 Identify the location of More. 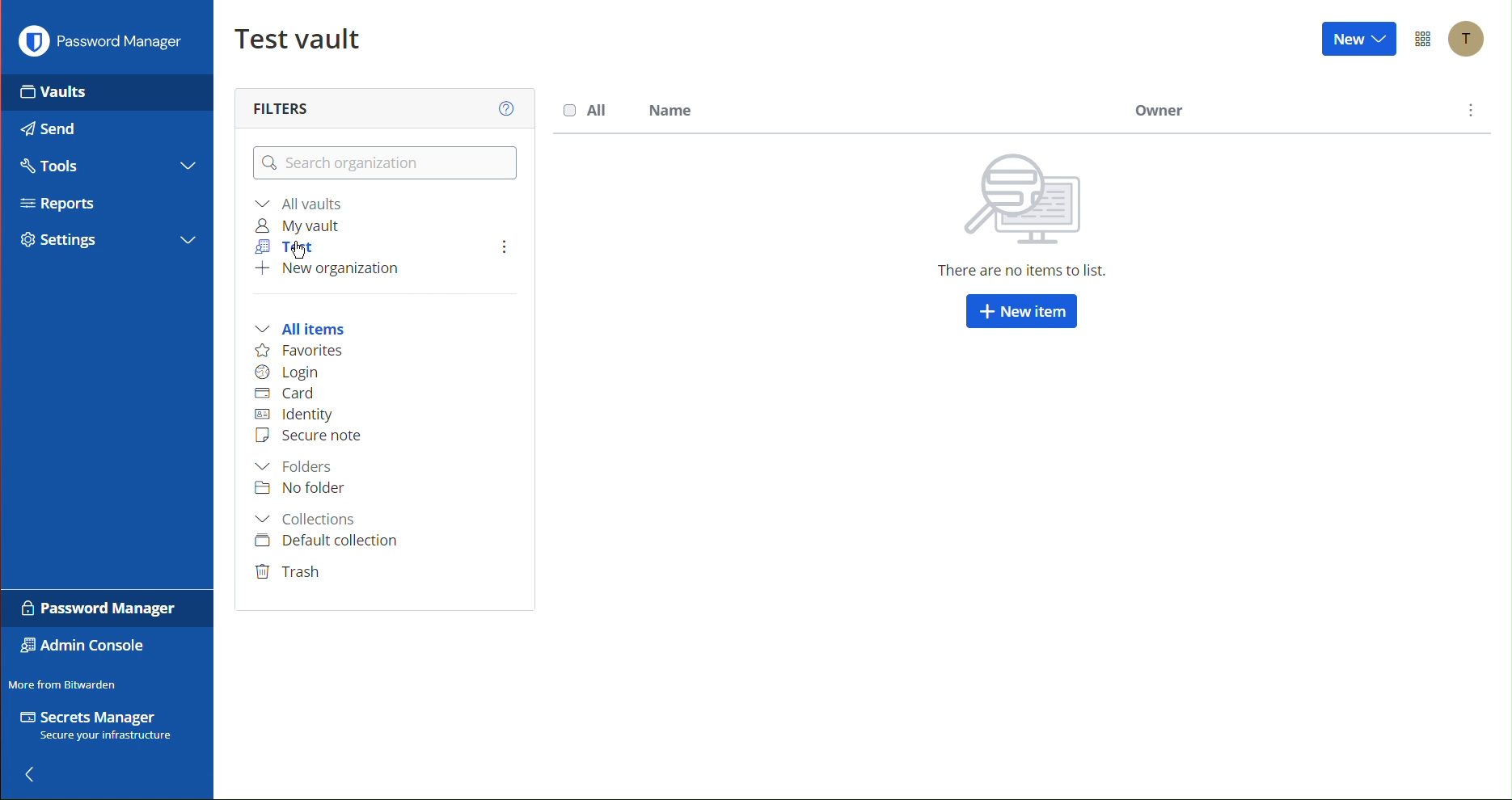
(497, 248).